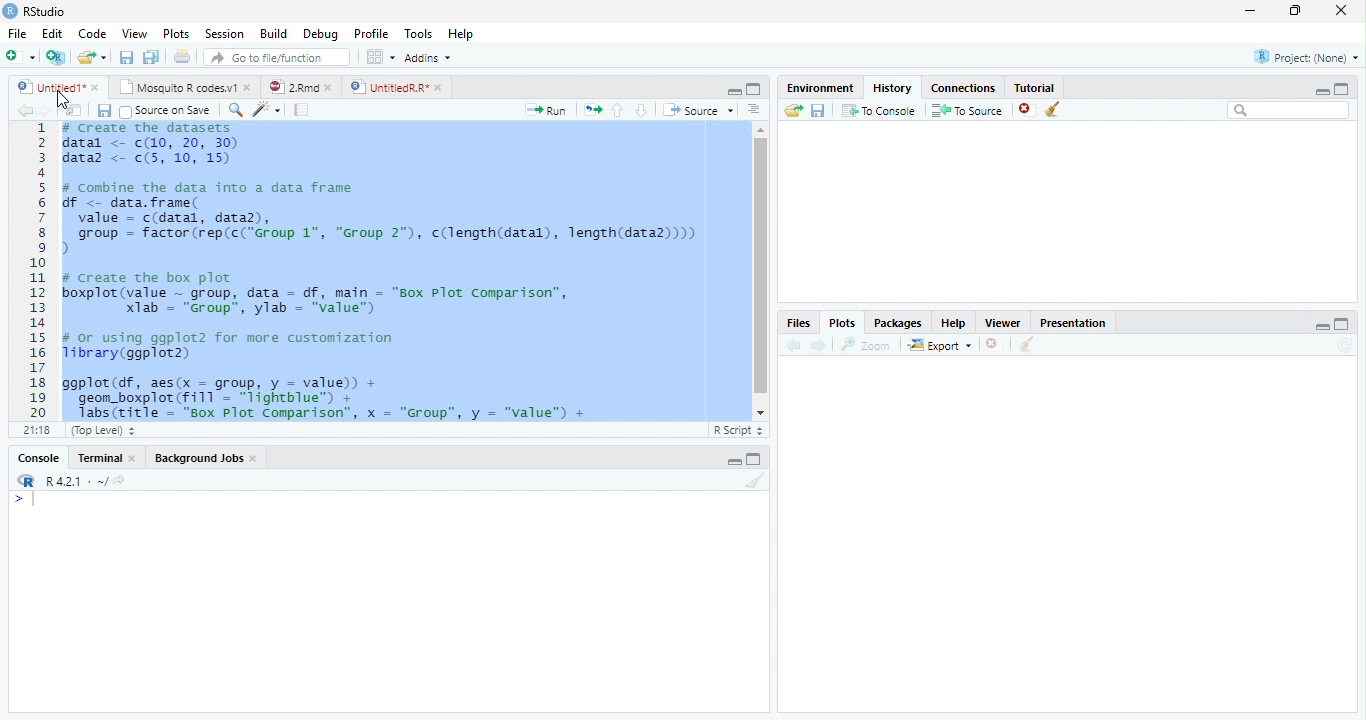 This screenshot has height=720, width=1366. Describe the element at coordinates (1026, 109) in the screenshot. I see `Remove the selected history entries` at that location.